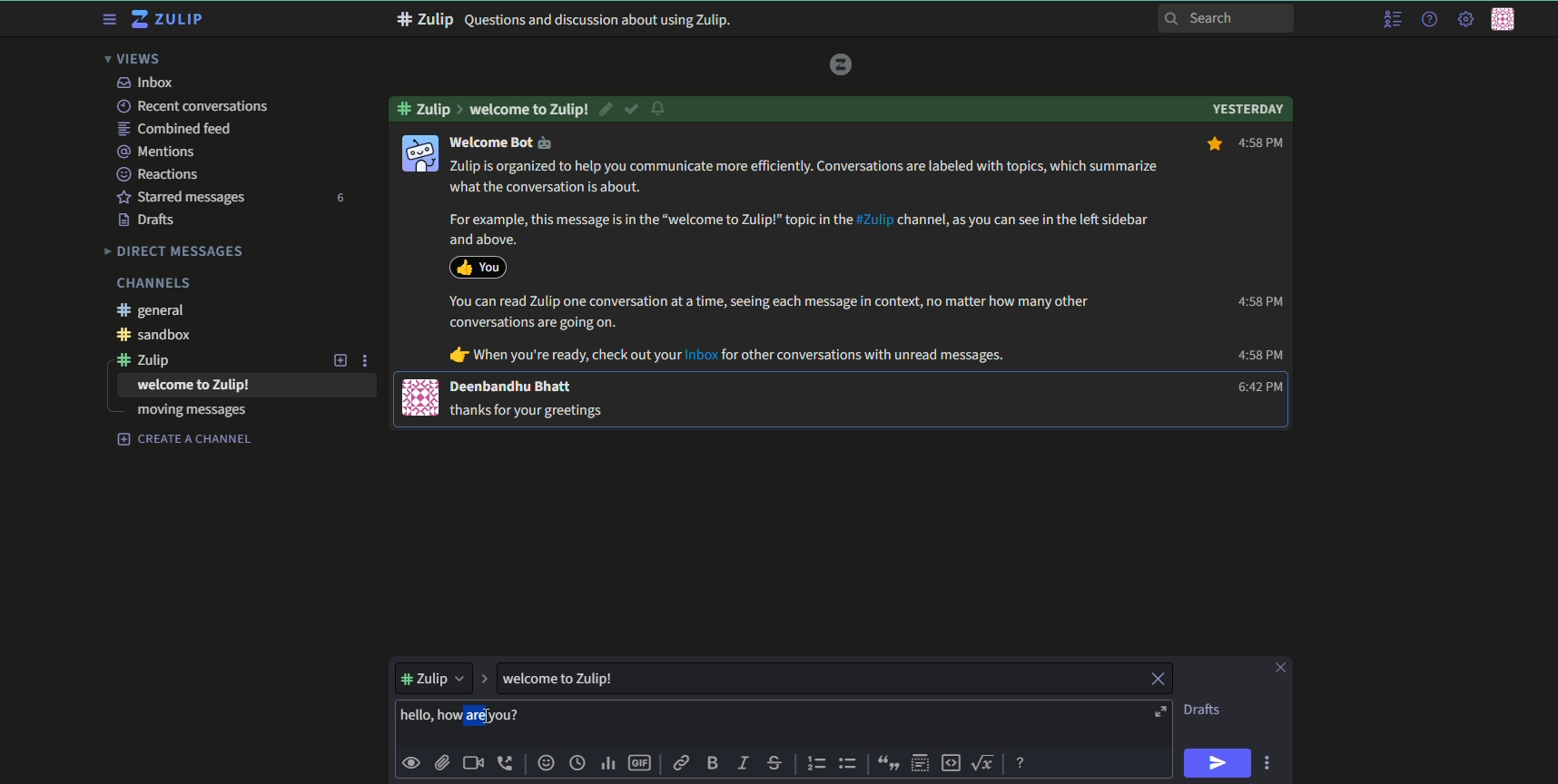 This screenshot has height=784, width=1558. Describe the element at coordinates (952, 762) in the screenshot. I see `code` at that location.